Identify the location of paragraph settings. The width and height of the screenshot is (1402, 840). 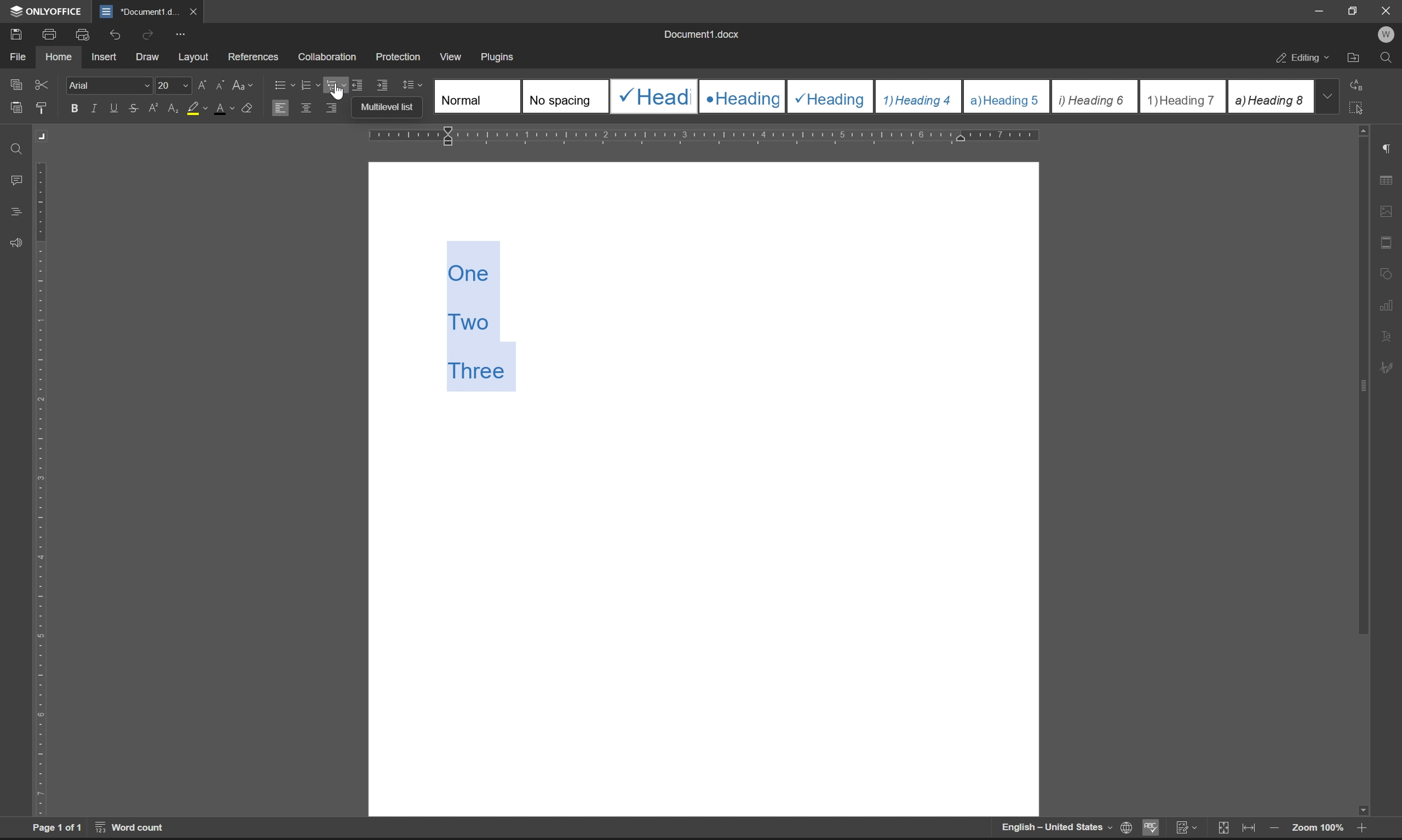
(1386, 149).